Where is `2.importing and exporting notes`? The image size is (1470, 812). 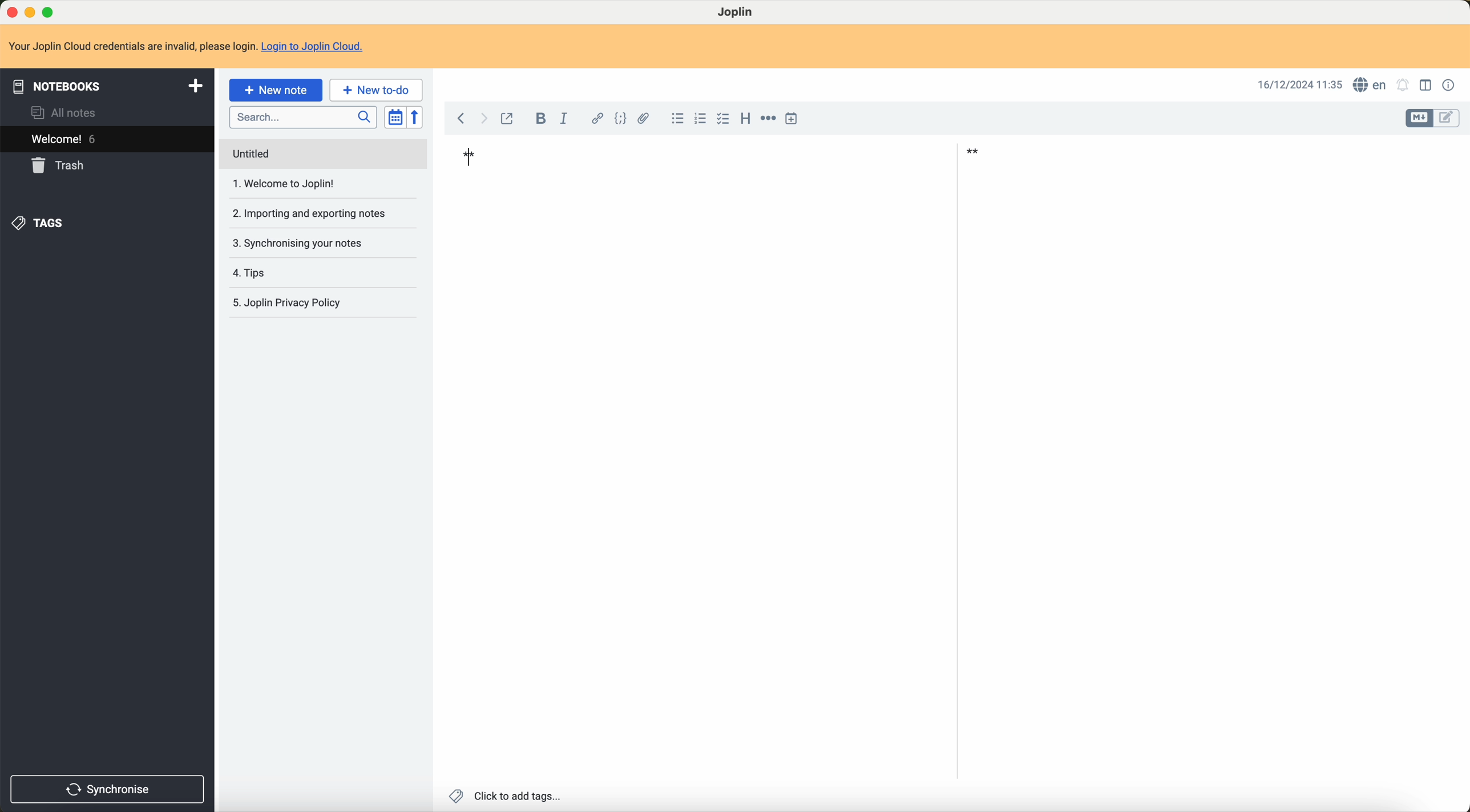
2.importing and exporting notes is located at coordinates (309, 213).